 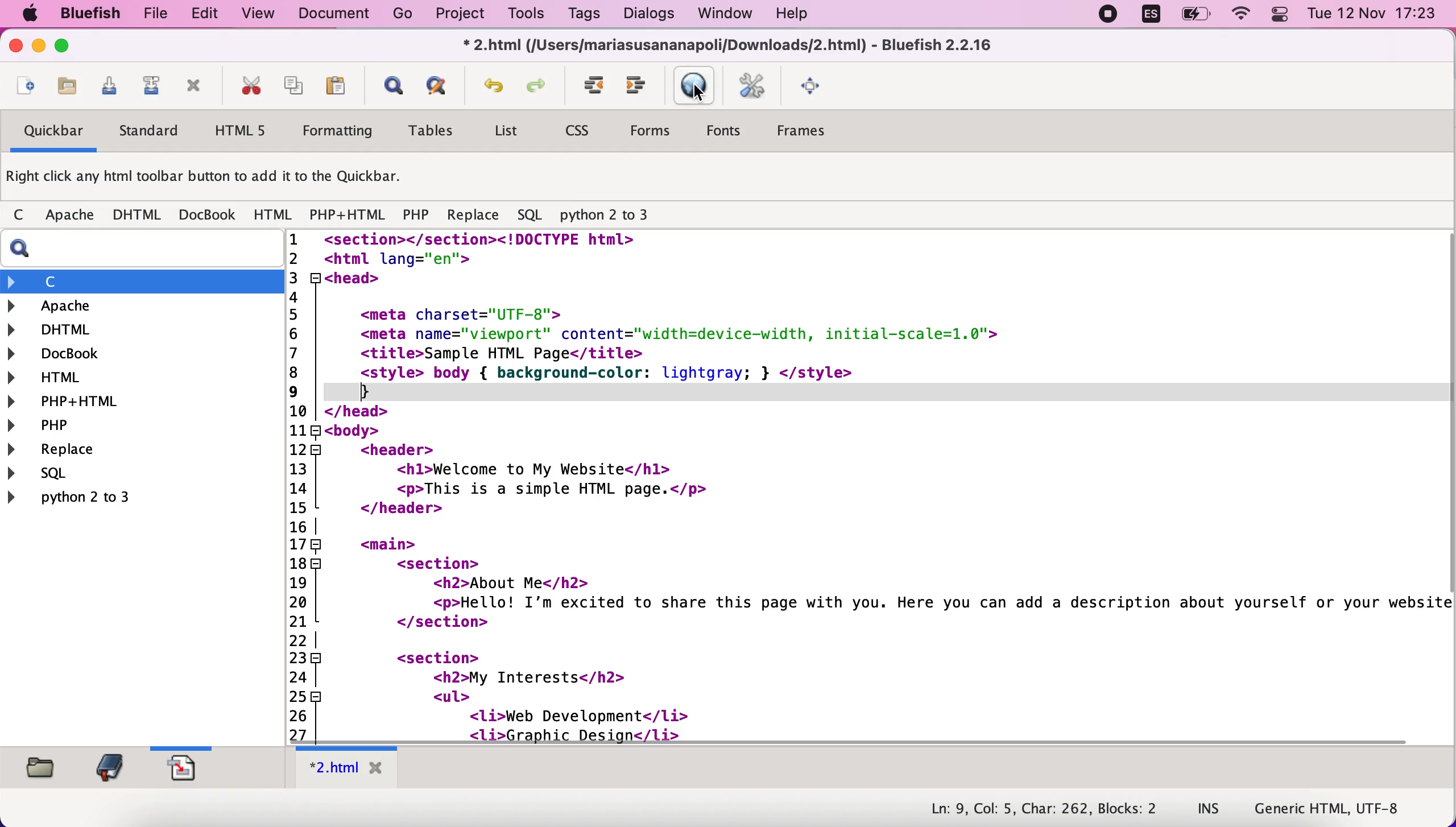 What do you see at coordinates (607, 214) in the screenshot?
I see `python 2 to 3` at bounding box center [607, 214].